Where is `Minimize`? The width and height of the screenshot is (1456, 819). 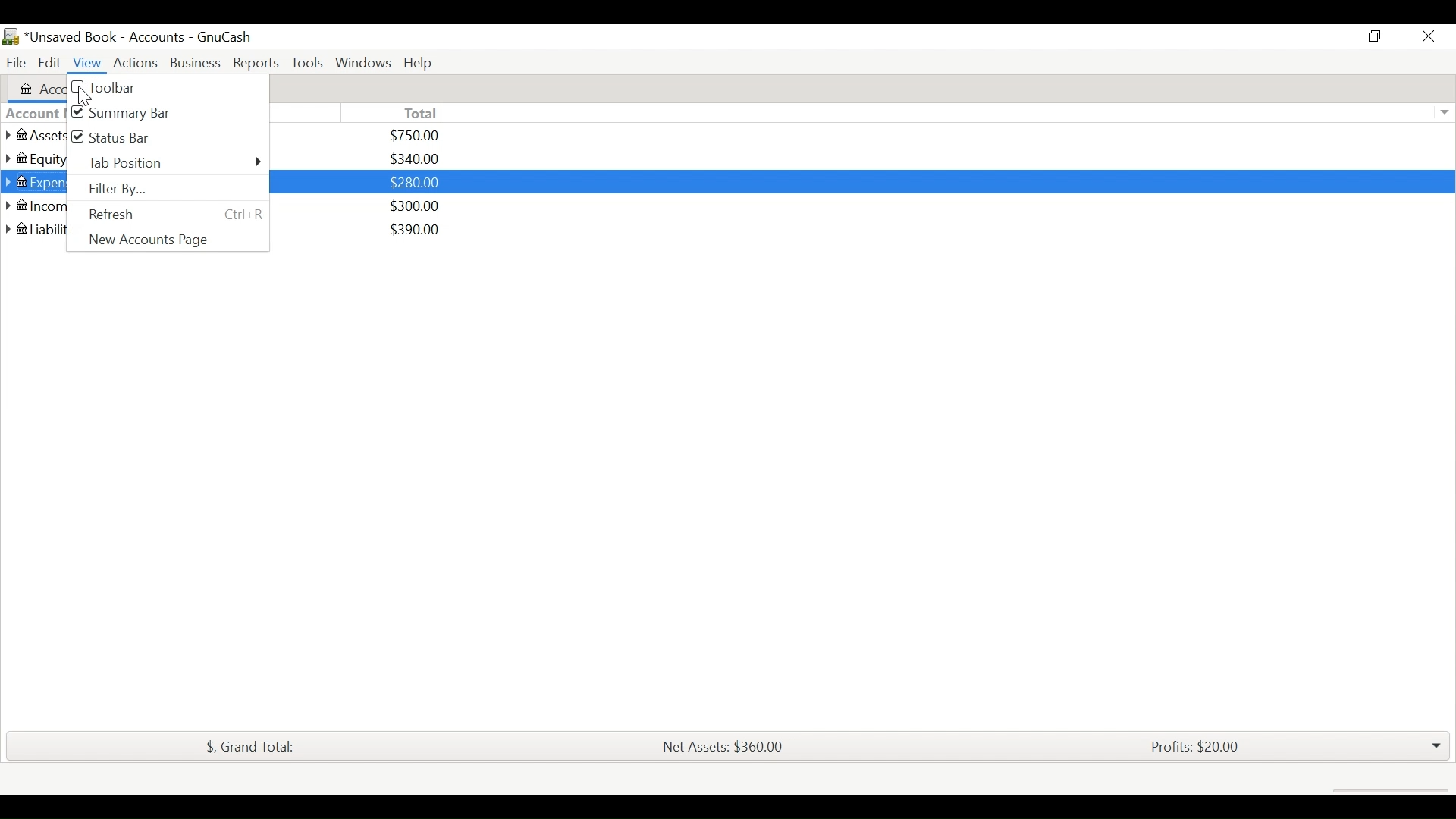
Minimize is located at coordinates (1323, 37).